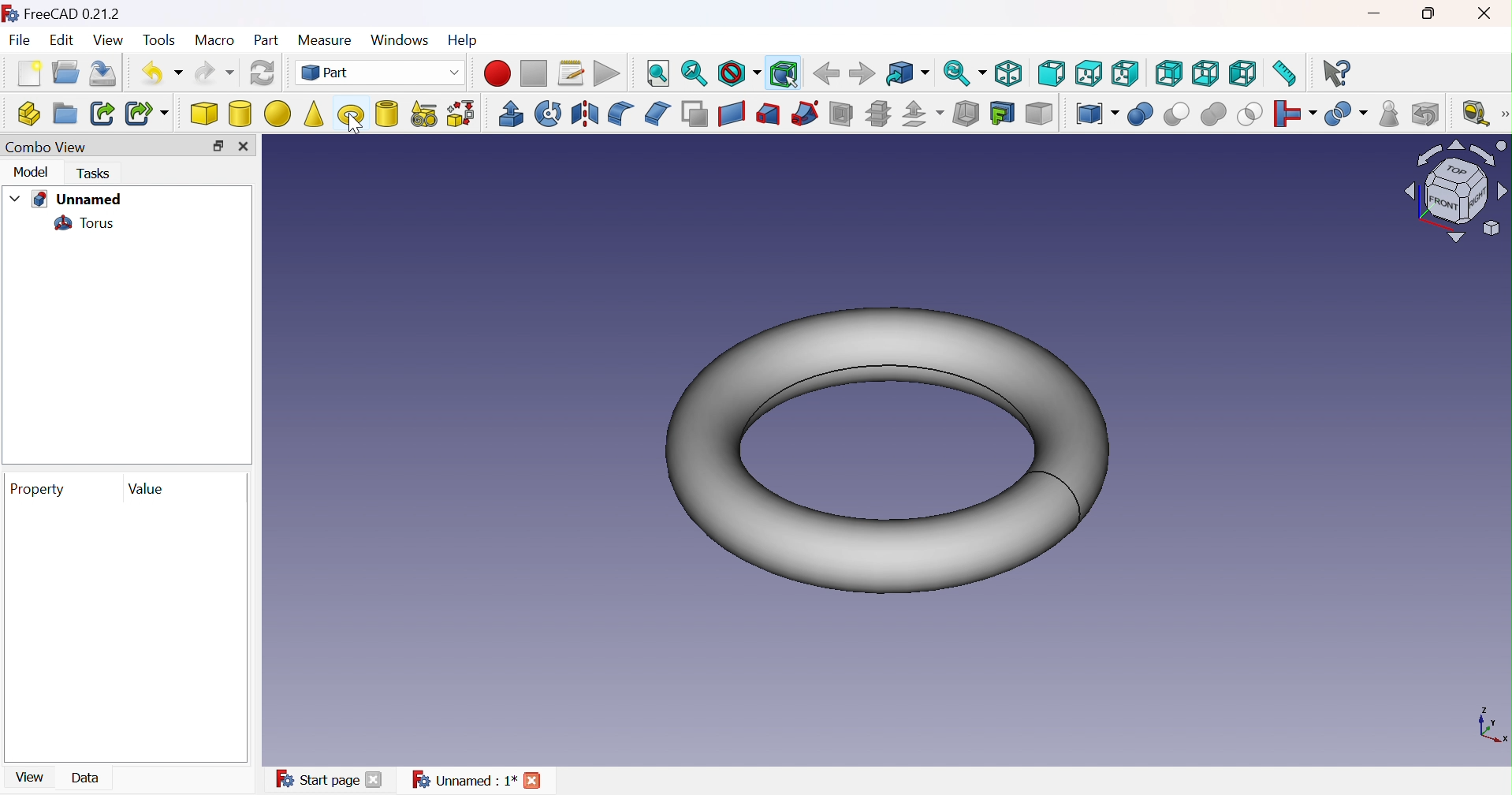 Image resolution: width=1512 pixels, height=795 pixels. What do you see at coordinates (82, 222) in the screenshot?
I see `Torus` at bounding box center [82, 222].